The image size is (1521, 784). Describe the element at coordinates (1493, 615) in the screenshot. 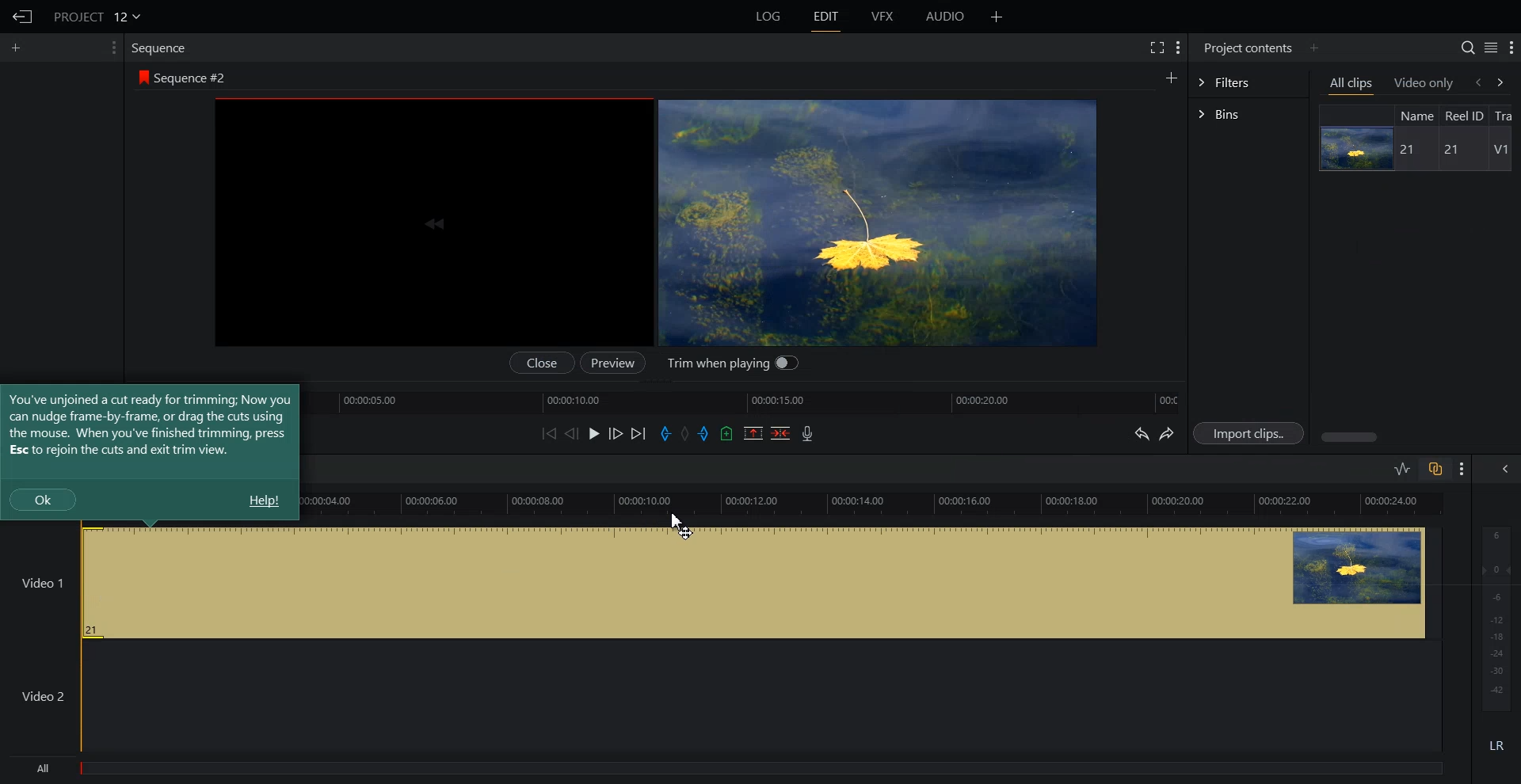

I see `Audio Output Level` at that location.